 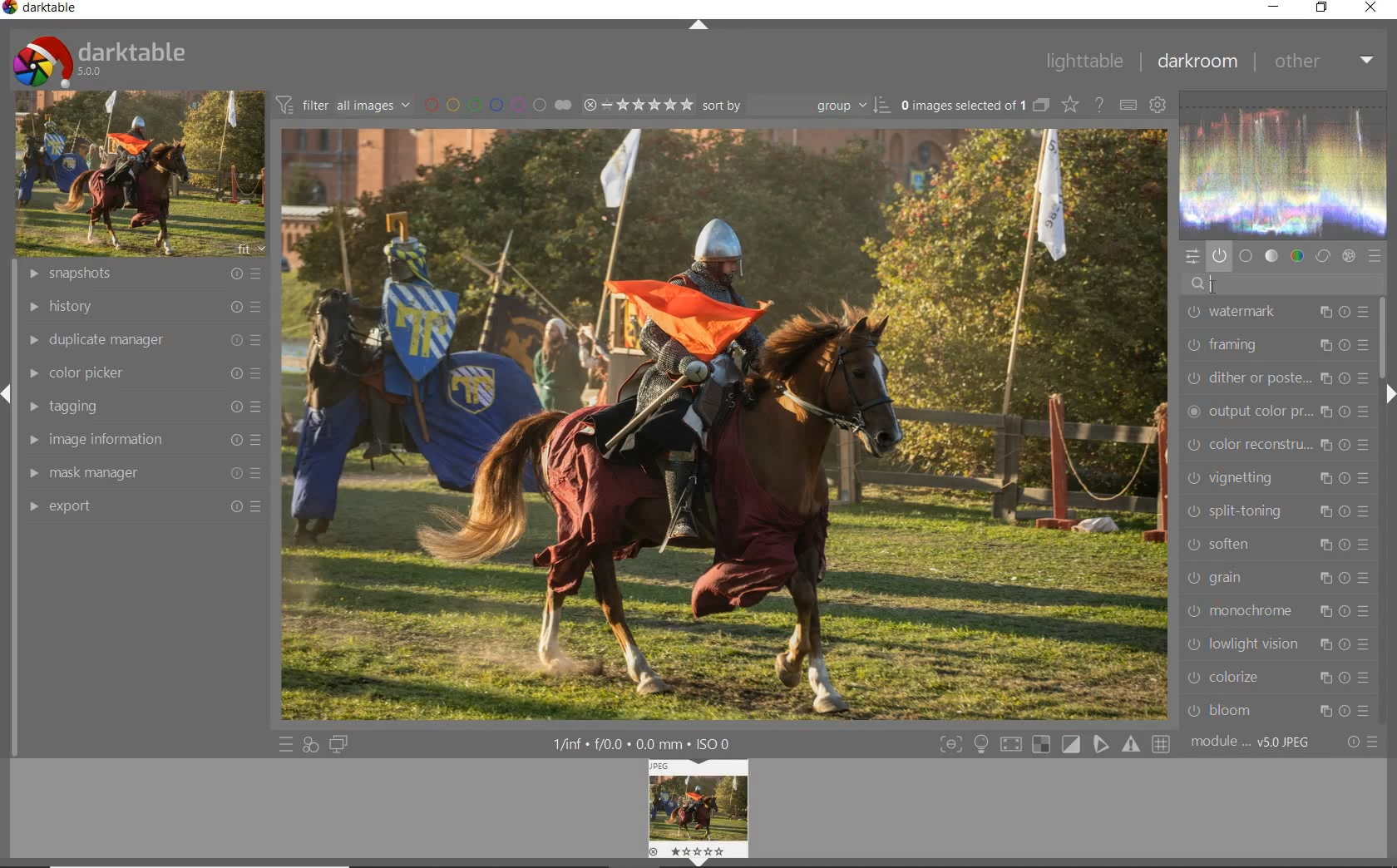 What do you see at coordinates (1276, 678) in the screenshot?
I see `colorize` at bounding box center [1276, 678].